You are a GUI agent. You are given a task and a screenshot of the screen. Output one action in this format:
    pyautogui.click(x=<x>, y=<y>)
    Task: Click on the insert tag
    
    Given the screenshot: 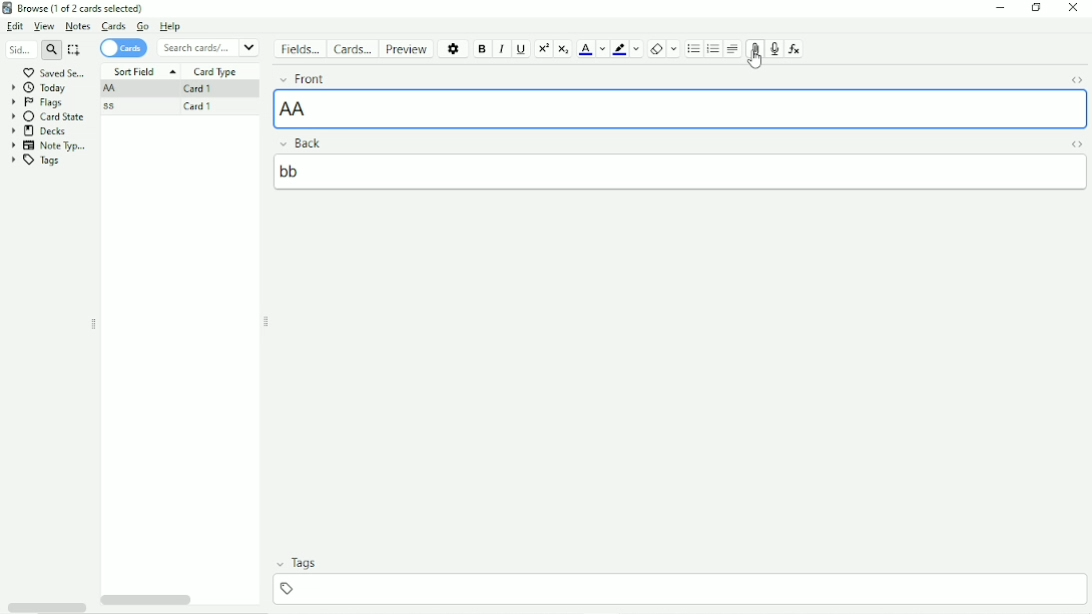 What is the action you would take?
    pyautogui.click(x=674, y=588)
    